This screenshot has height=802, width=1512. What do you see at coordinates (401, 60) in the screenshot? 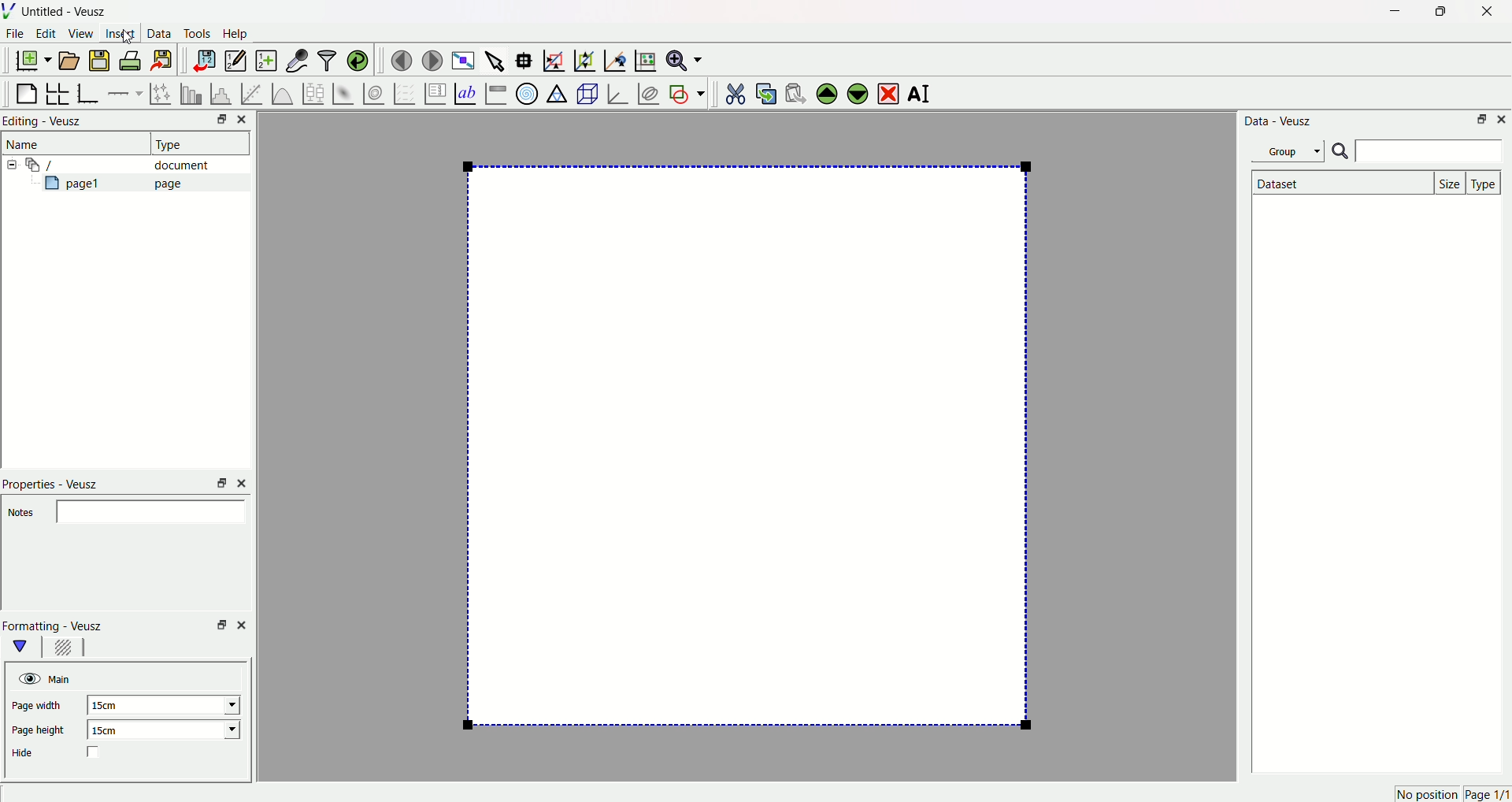
I see `move to previous page` at bounding box center [401, 60].